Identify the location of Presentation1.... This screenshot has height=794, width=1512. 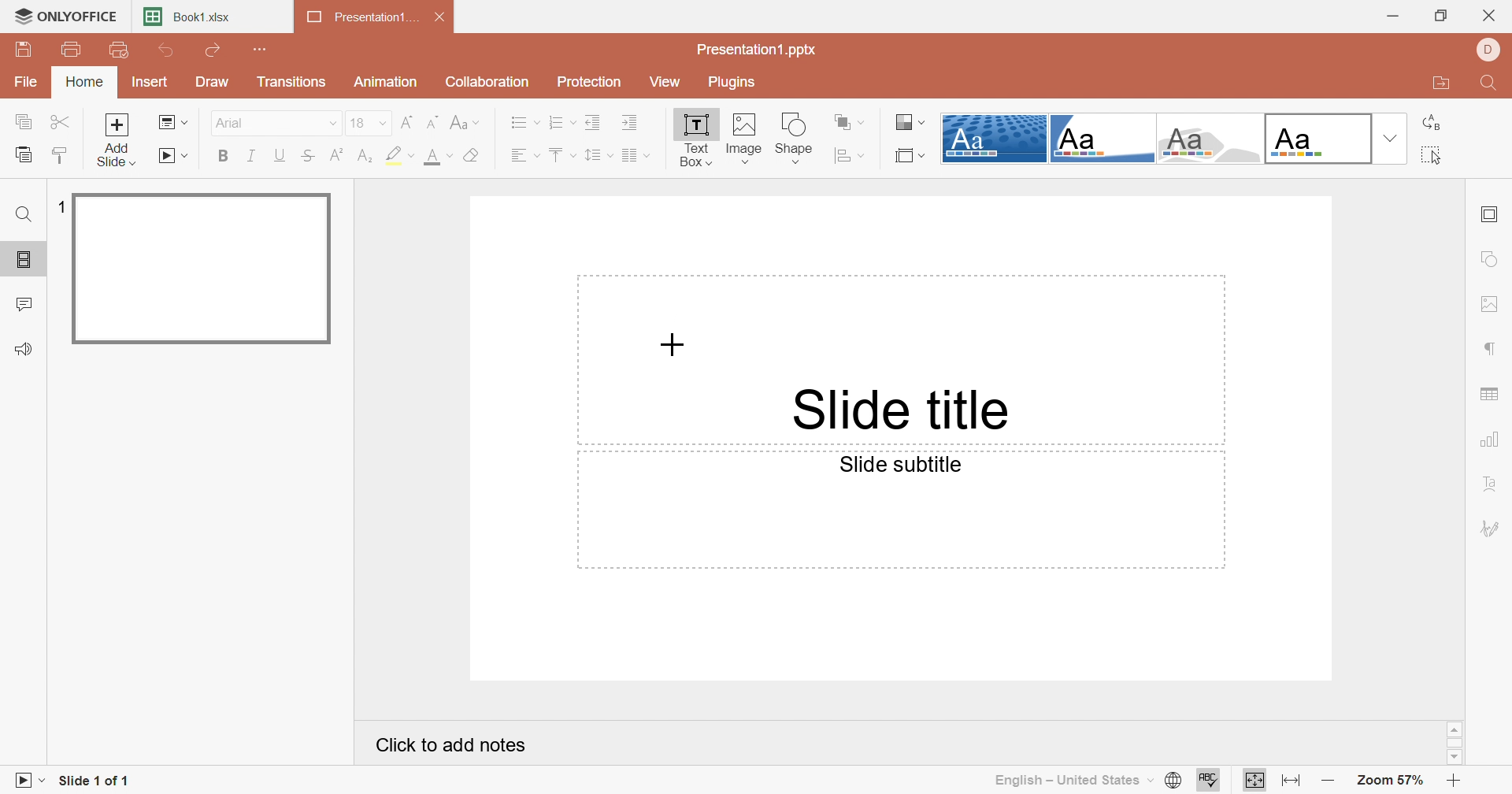
(360, 16).